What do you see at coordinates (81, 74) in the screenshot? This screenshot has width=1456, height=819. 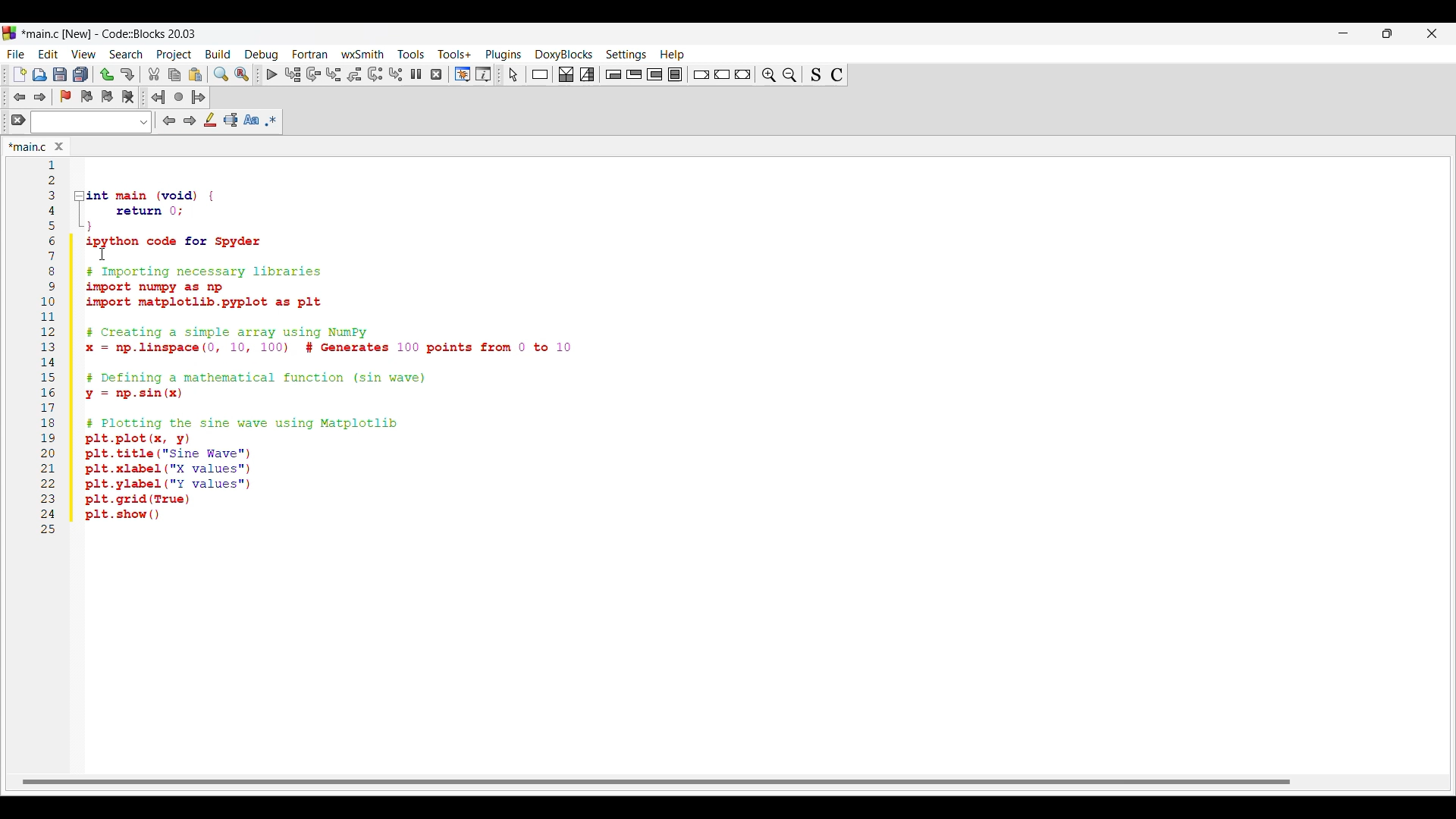 I see `Save everything` at bounding box center [81, 74].